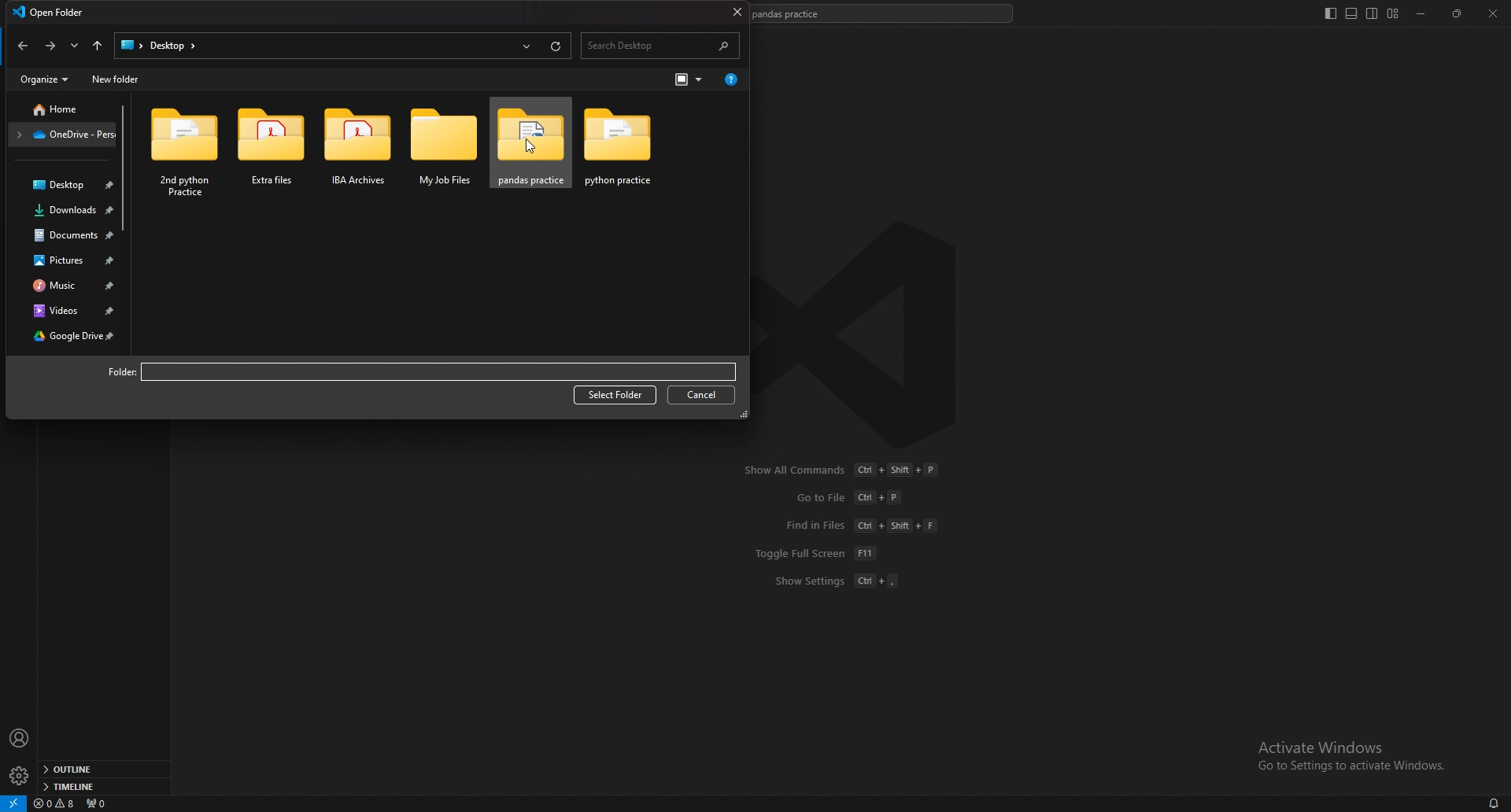 The height and width of the screenshot is (812, 1511). Describe the element at coordinates (733, 80) in the screenshot. I see `more options` at that location.